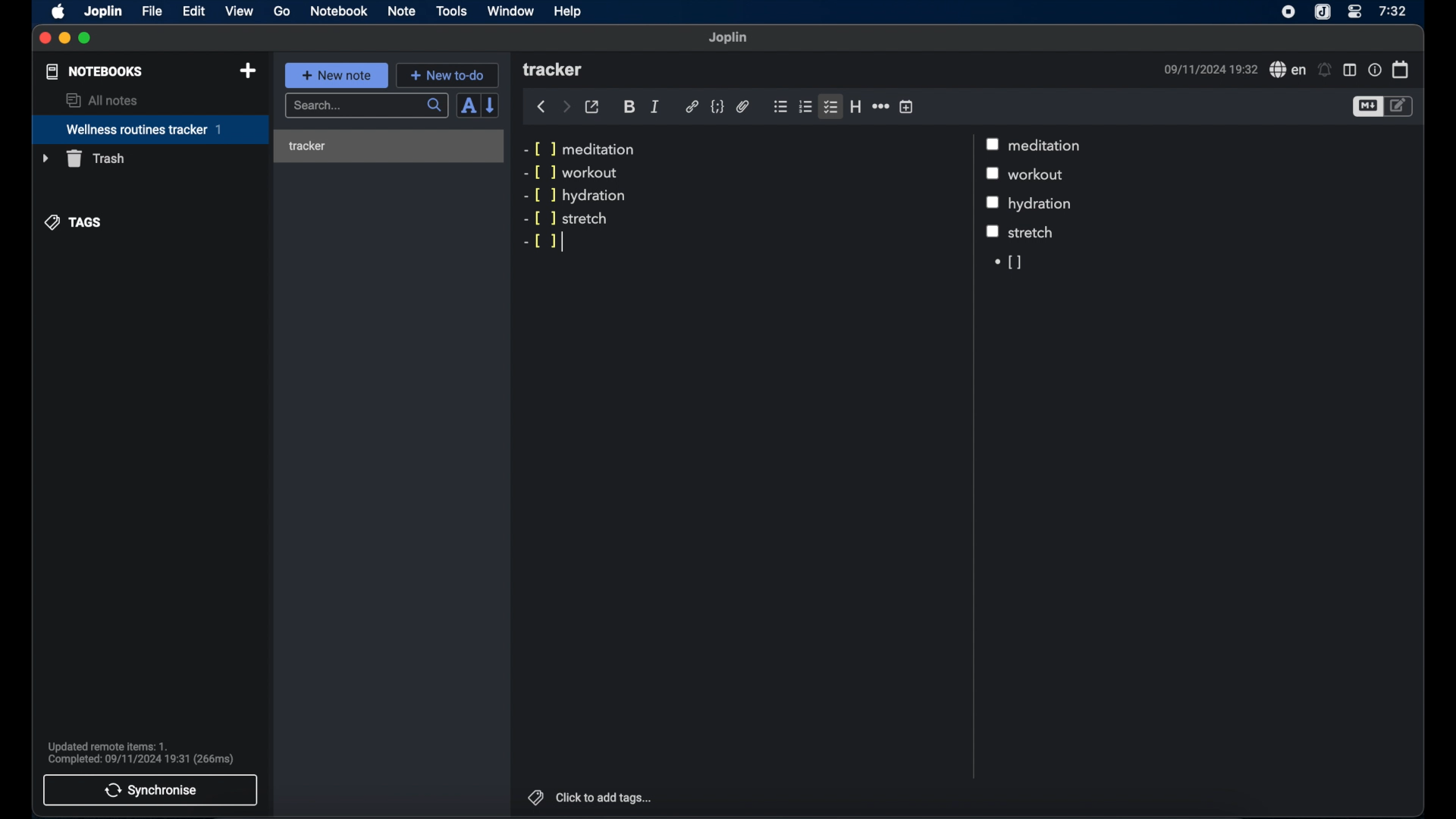 The height and width of the screenshot is (819, 1456). Describe the element at coordinates (1043, 205) in the screenshot. I see `hydration` at that location.